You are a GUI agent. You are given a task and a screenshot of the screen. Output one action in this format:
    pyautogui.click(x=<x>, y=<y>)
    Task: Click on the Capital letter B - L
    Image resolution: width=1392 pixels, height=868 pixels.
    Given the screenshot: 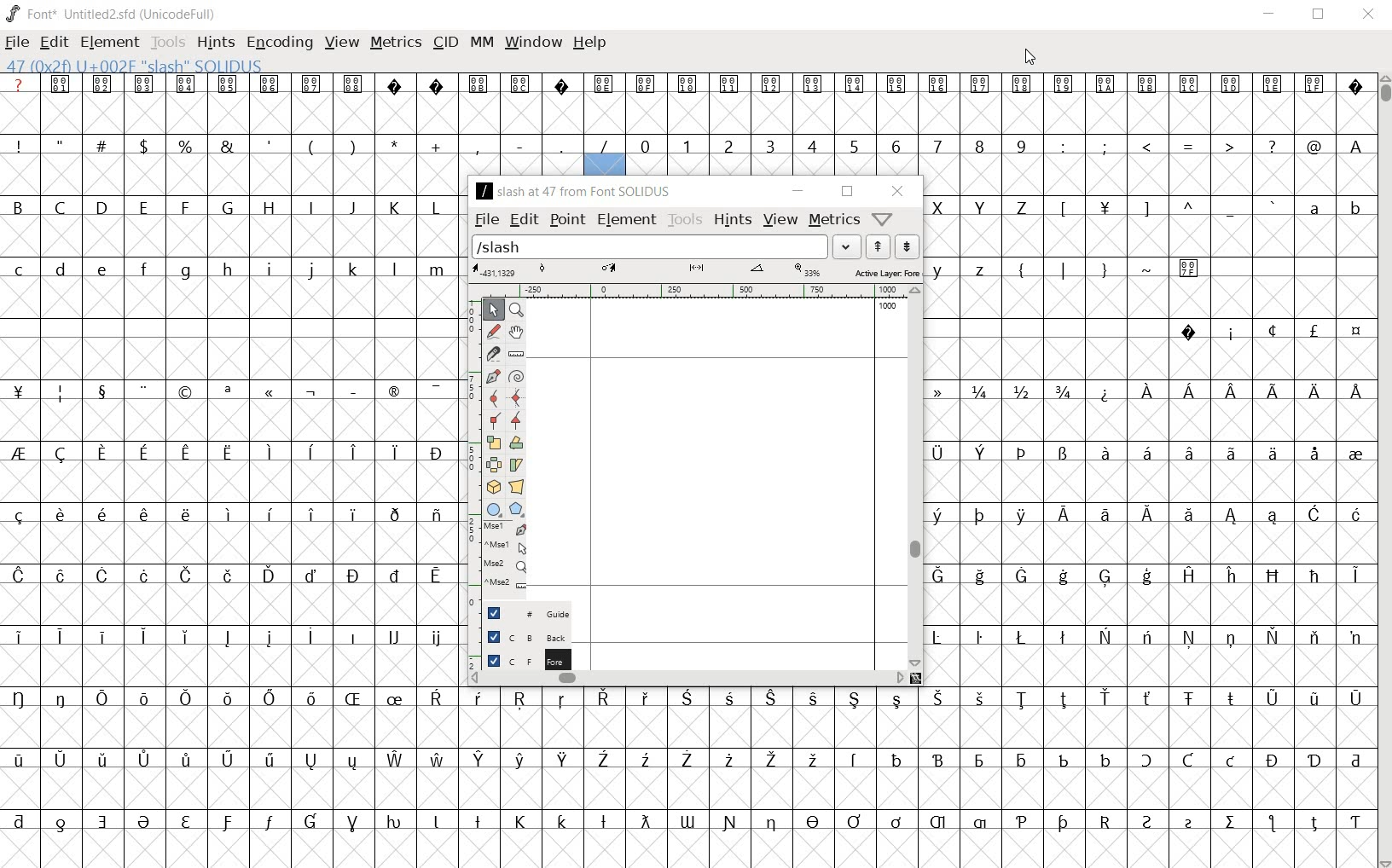 What is the action you would take?
    pyautogui.click(x=226, y=208)
    